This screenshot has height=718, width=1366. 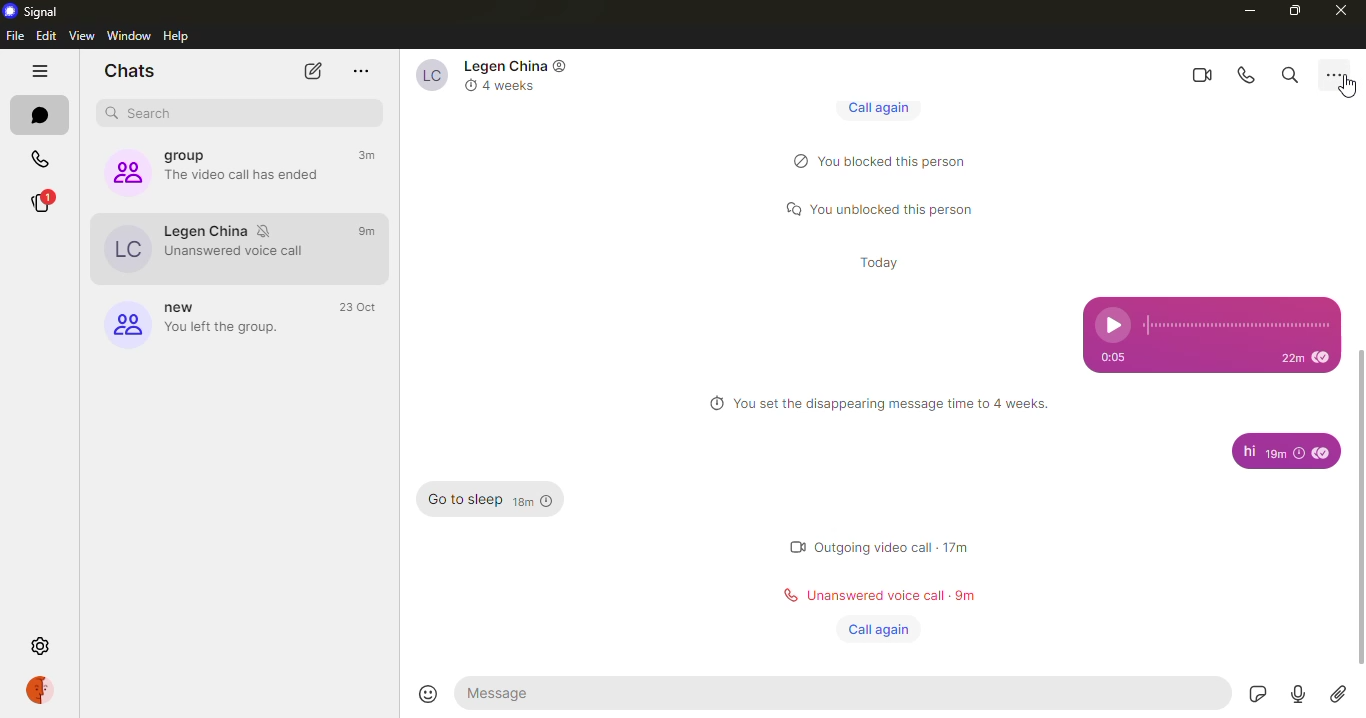 What do you see at coordinates (212, 168) in the screenshot?
I see `group` at bounding box center [212, 168].